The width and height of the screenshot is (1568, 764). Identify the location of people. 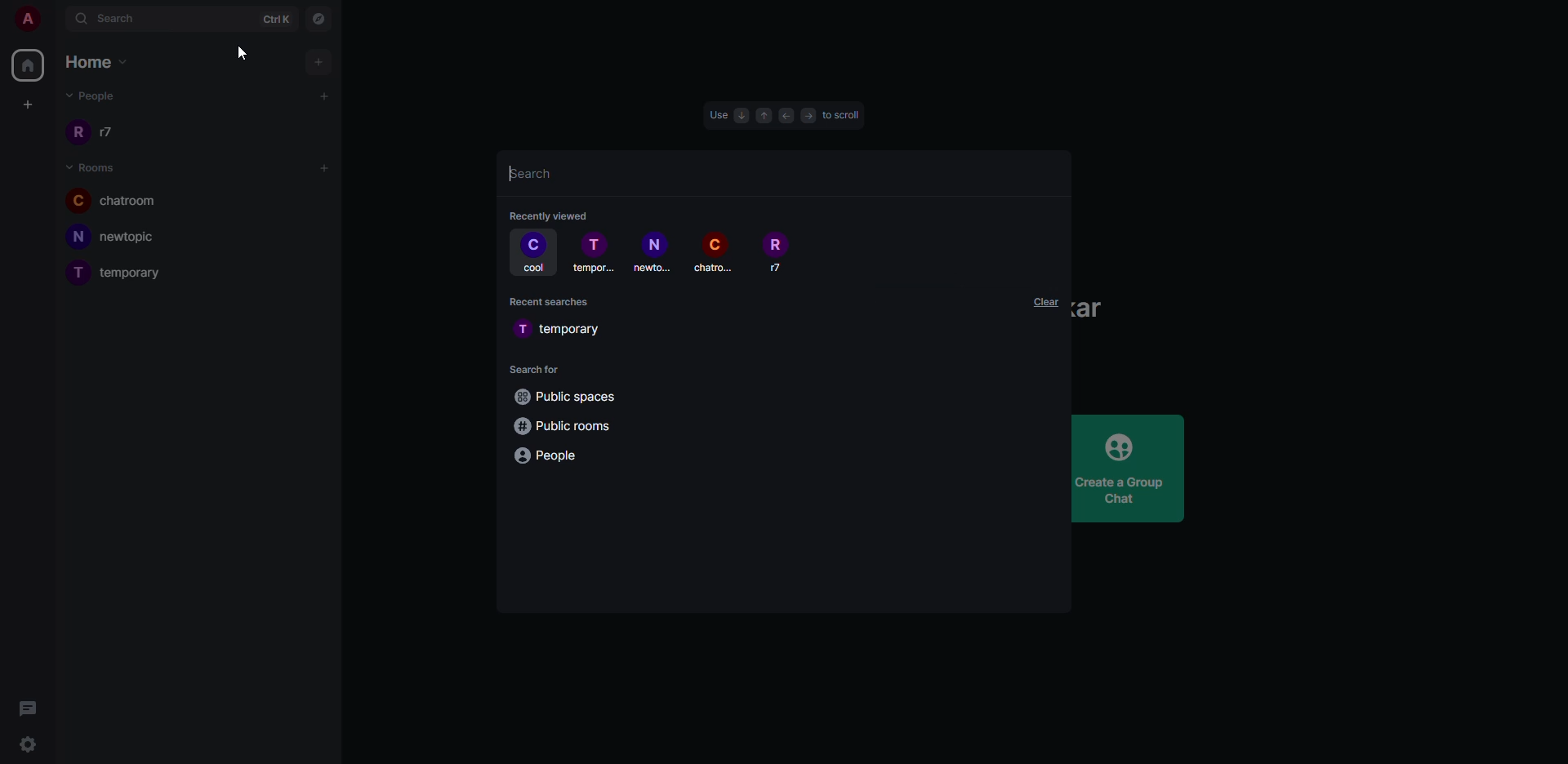
(91, 95).